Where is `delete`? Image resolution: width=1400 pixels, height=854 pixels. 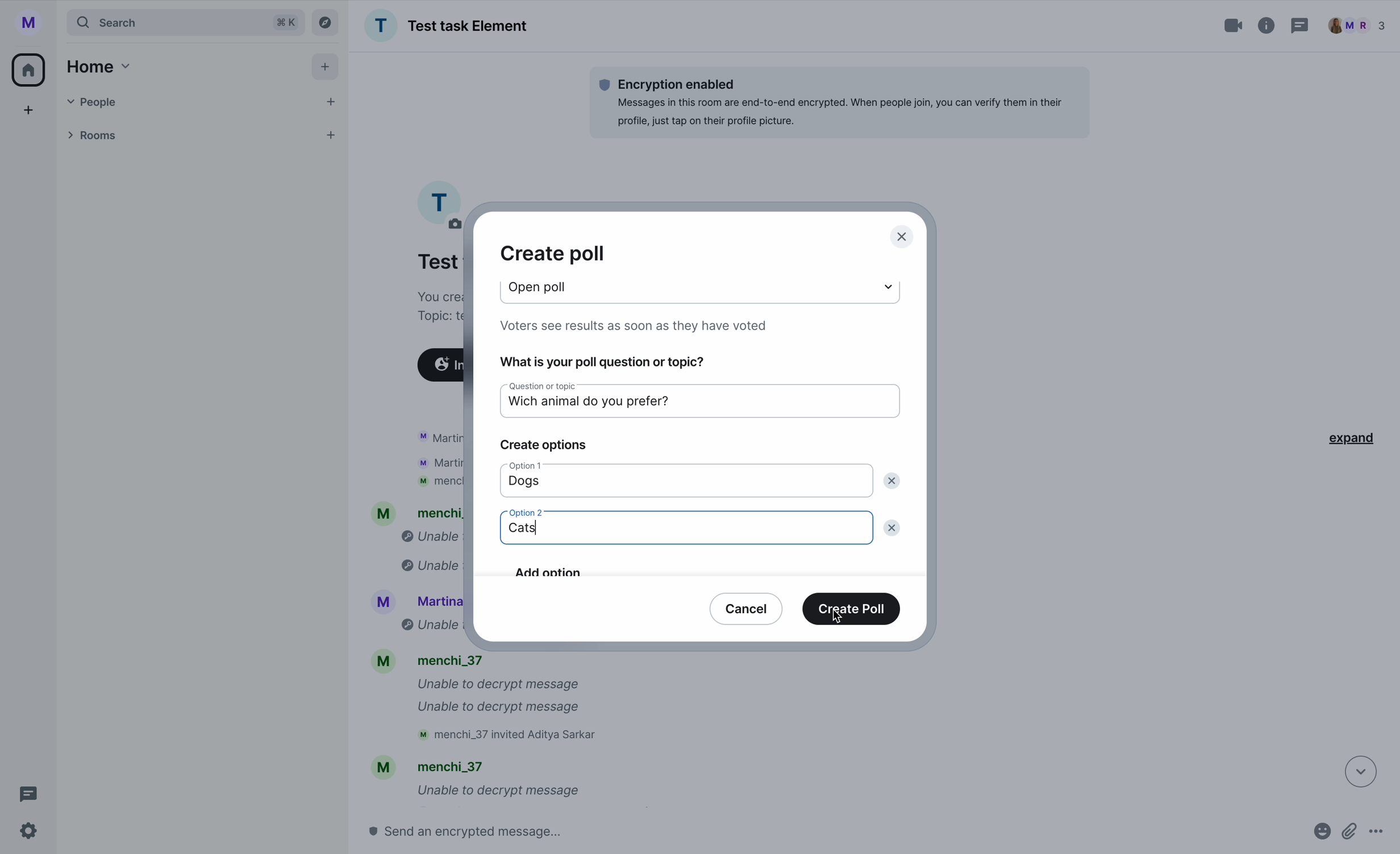 delete is located at coordinates (893, 479).